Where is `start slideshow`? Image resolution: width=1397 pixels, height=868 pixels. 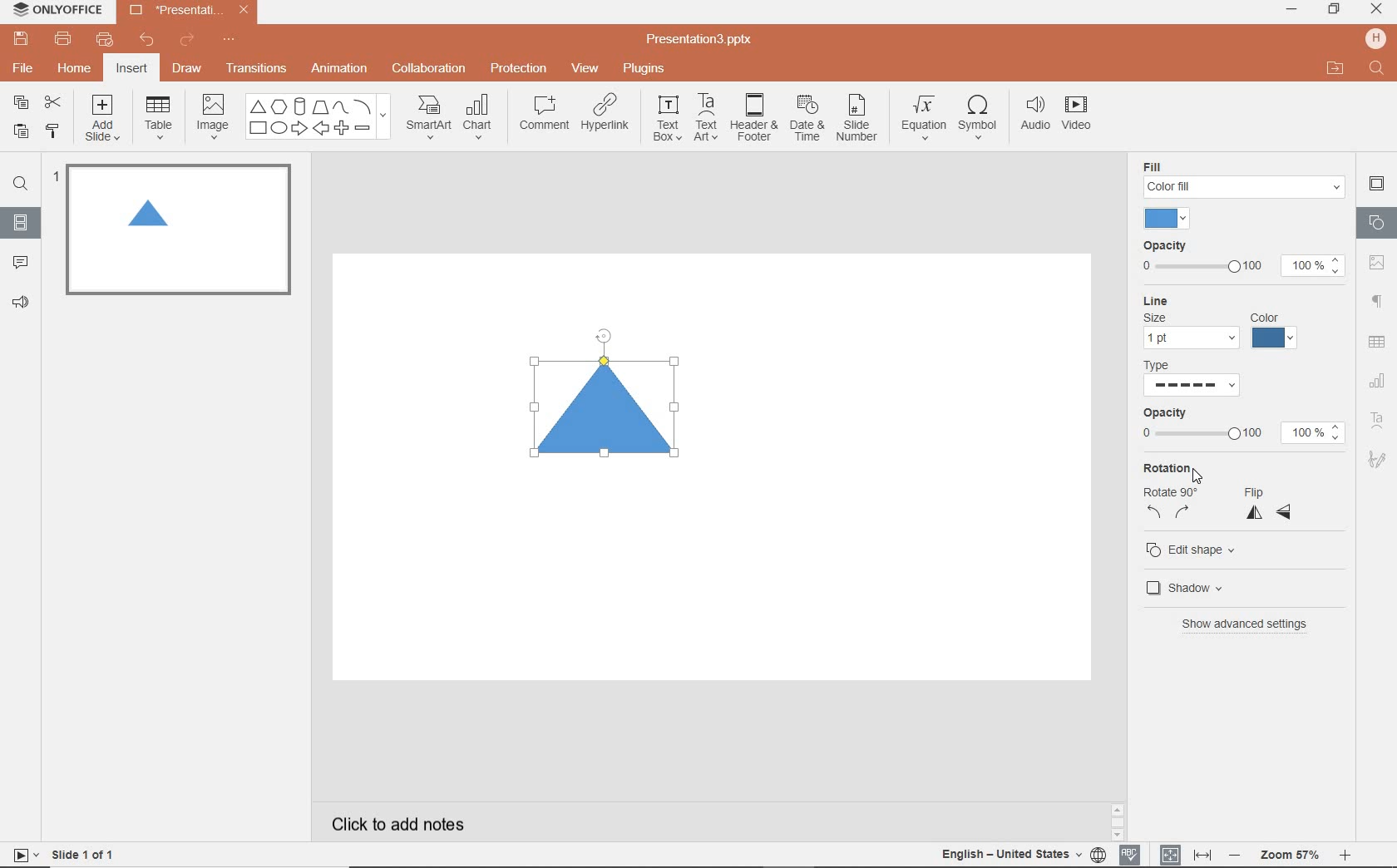
start slideshow is located at coordinates (20, 857).